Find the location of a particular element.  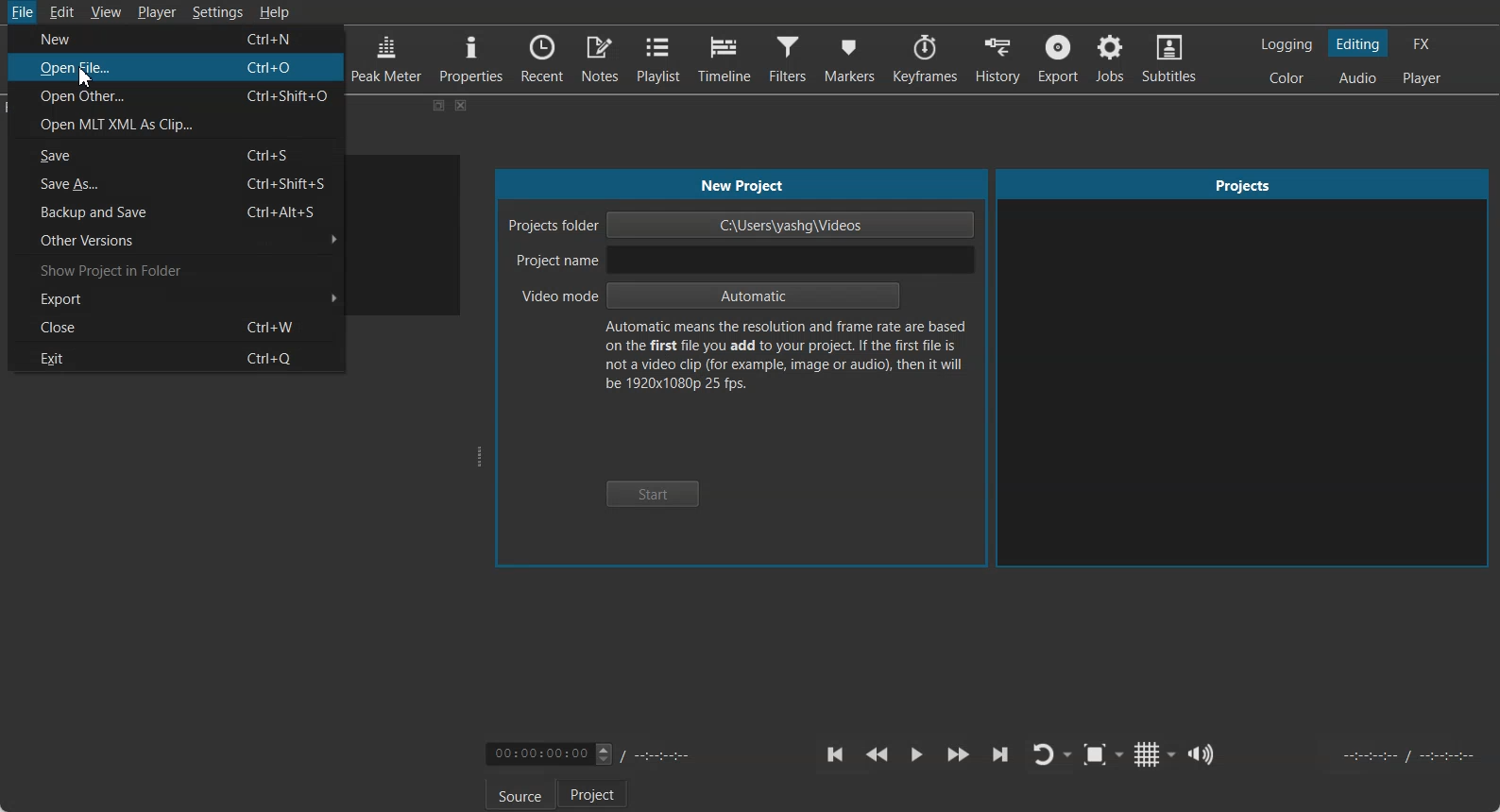

Keyframes is located at coordinates (925, 58).